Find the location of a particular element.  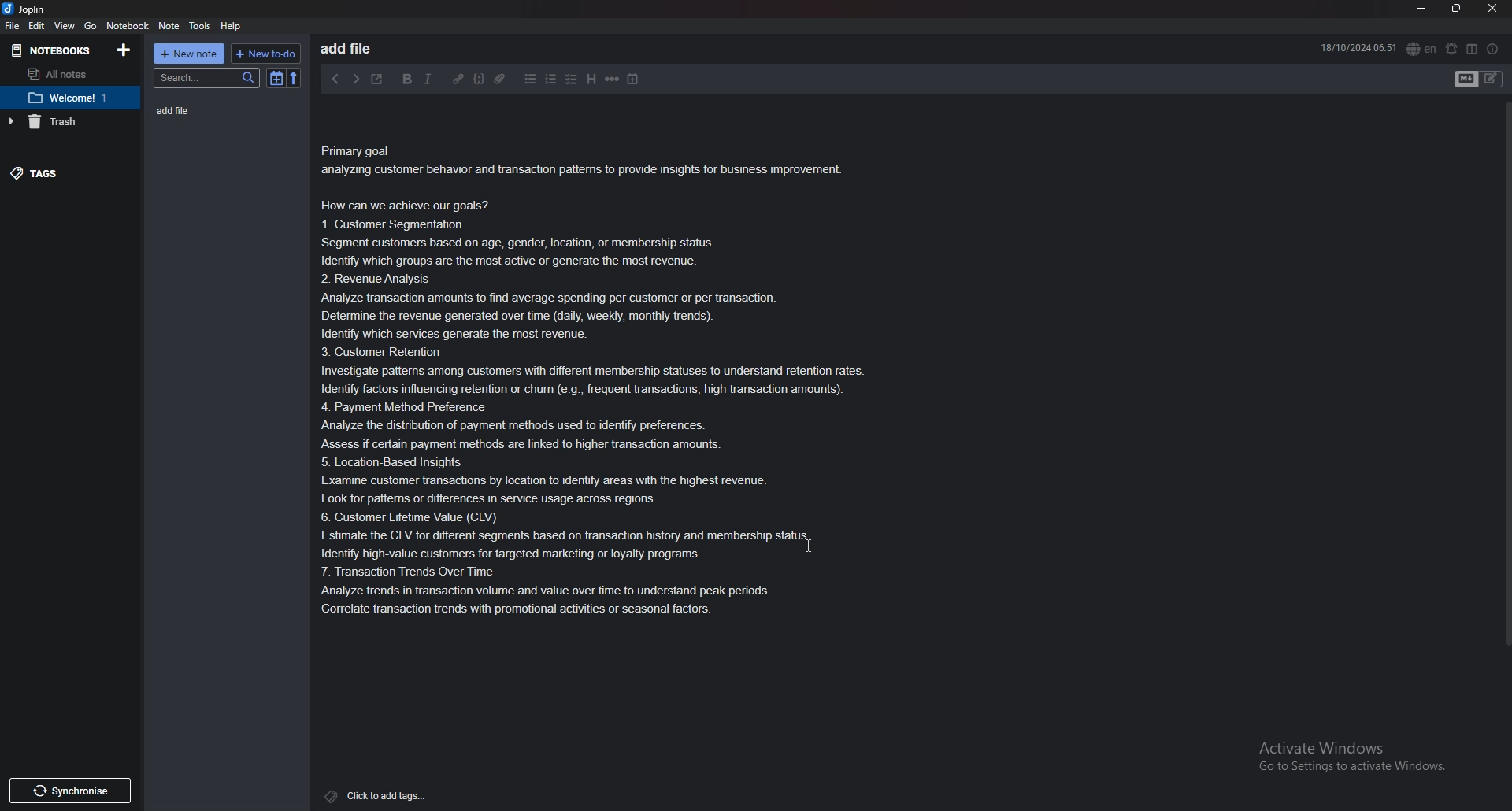

Horizontal rule is located at coordinates (613, 81).